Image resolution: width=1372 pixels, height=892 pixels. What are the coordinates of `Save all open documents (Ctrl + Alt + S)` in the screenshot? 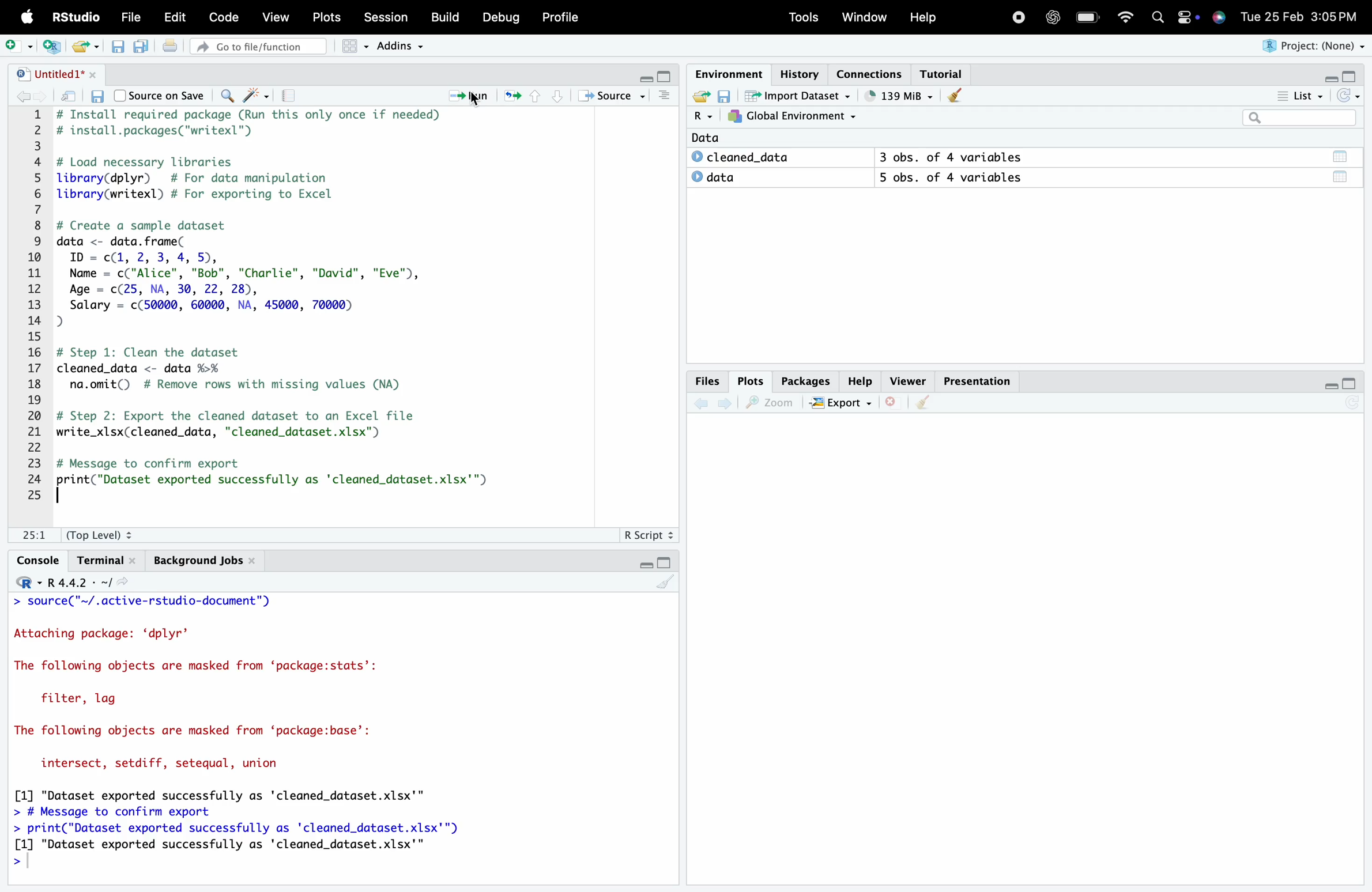 It's located at (142, 47).